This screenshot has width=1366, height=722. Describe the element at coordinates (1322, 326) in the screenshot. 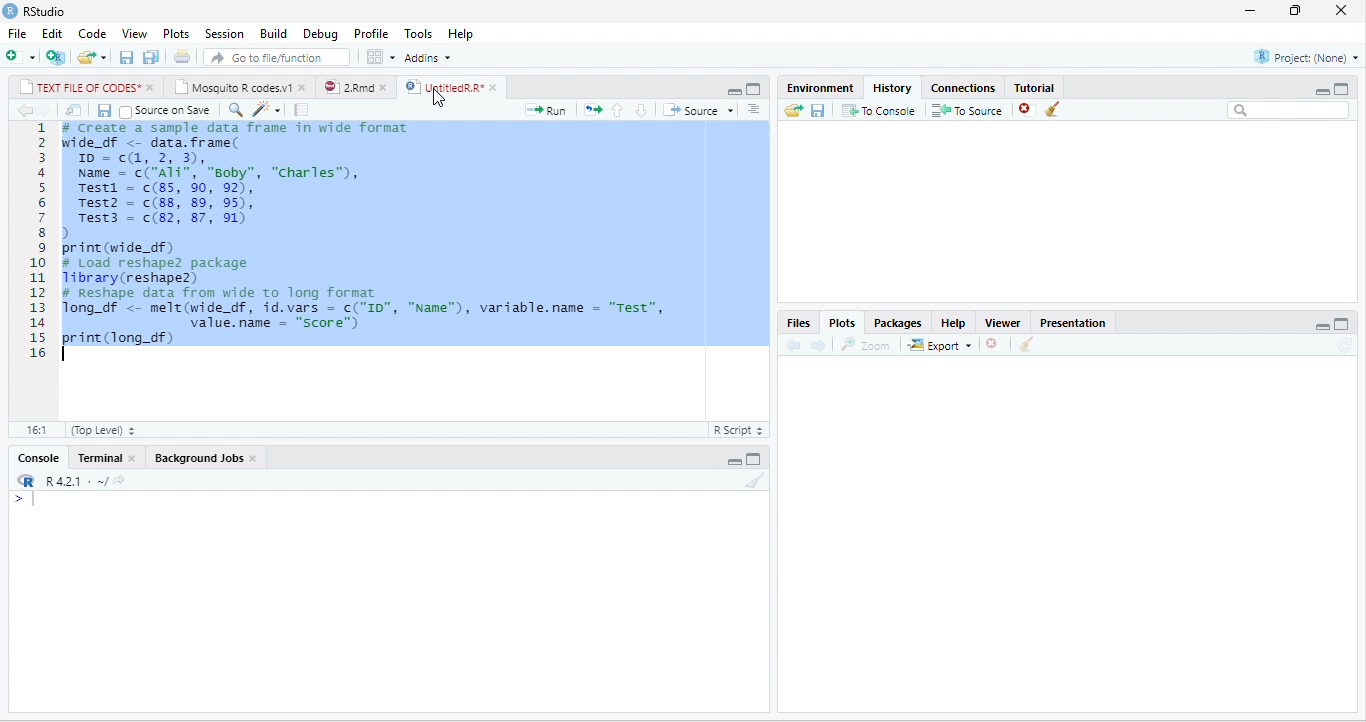

I see `minimize` at that location.